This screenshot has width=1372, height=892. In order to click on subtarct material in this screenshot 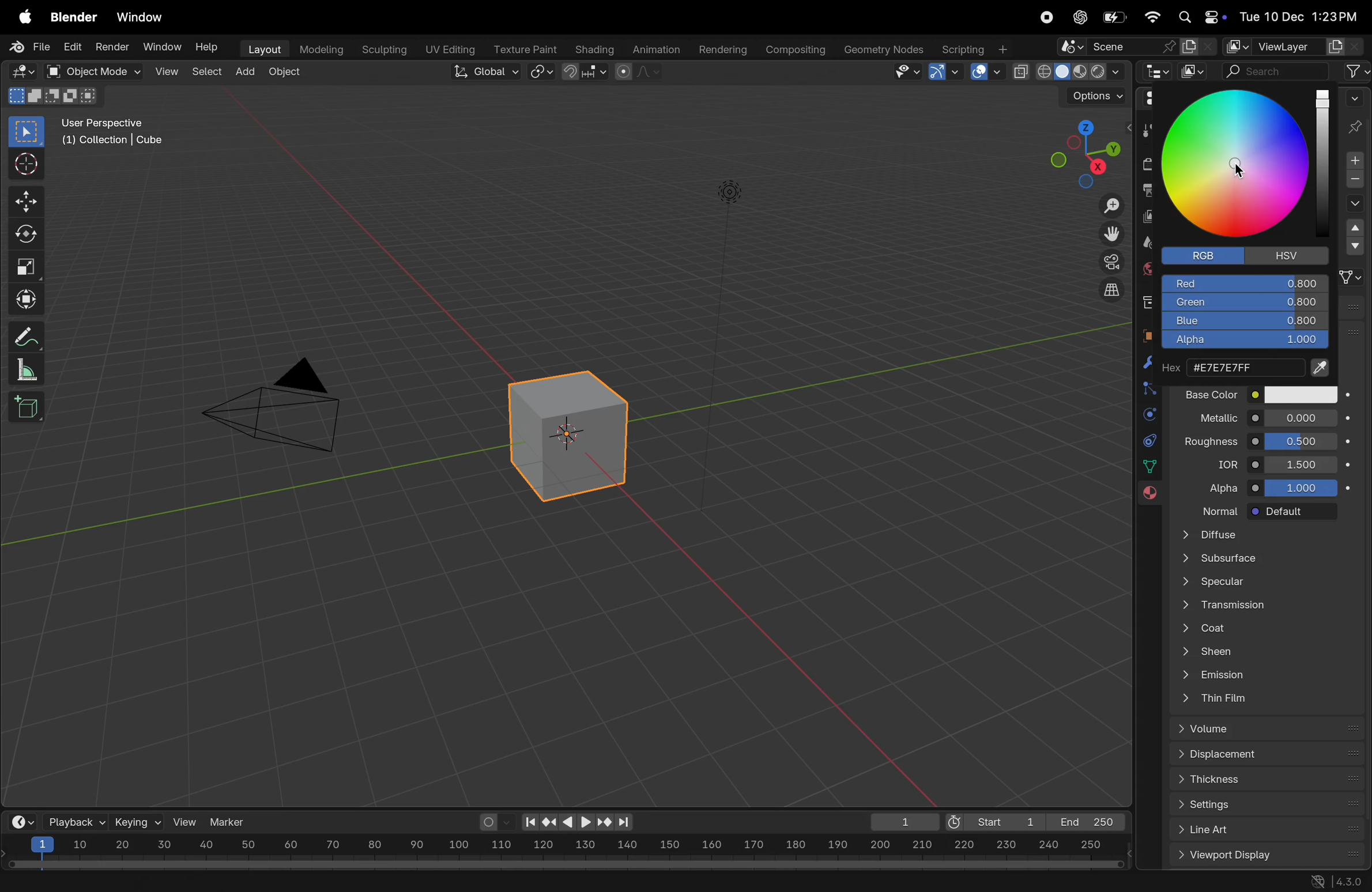, I will do `click(1352, 182)`.